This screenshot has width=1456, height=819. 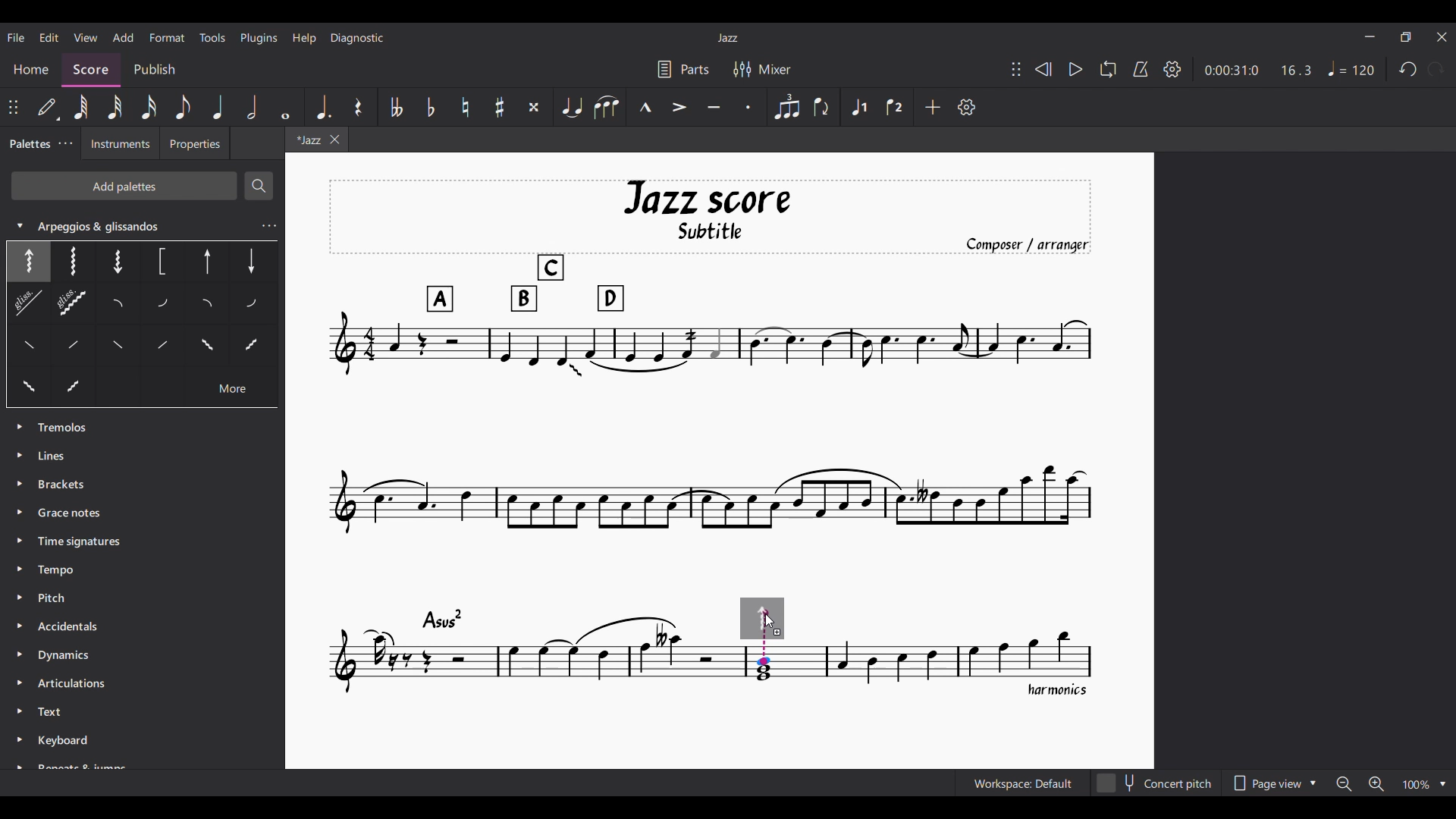 I want to click on , so click(x=42, y=307).